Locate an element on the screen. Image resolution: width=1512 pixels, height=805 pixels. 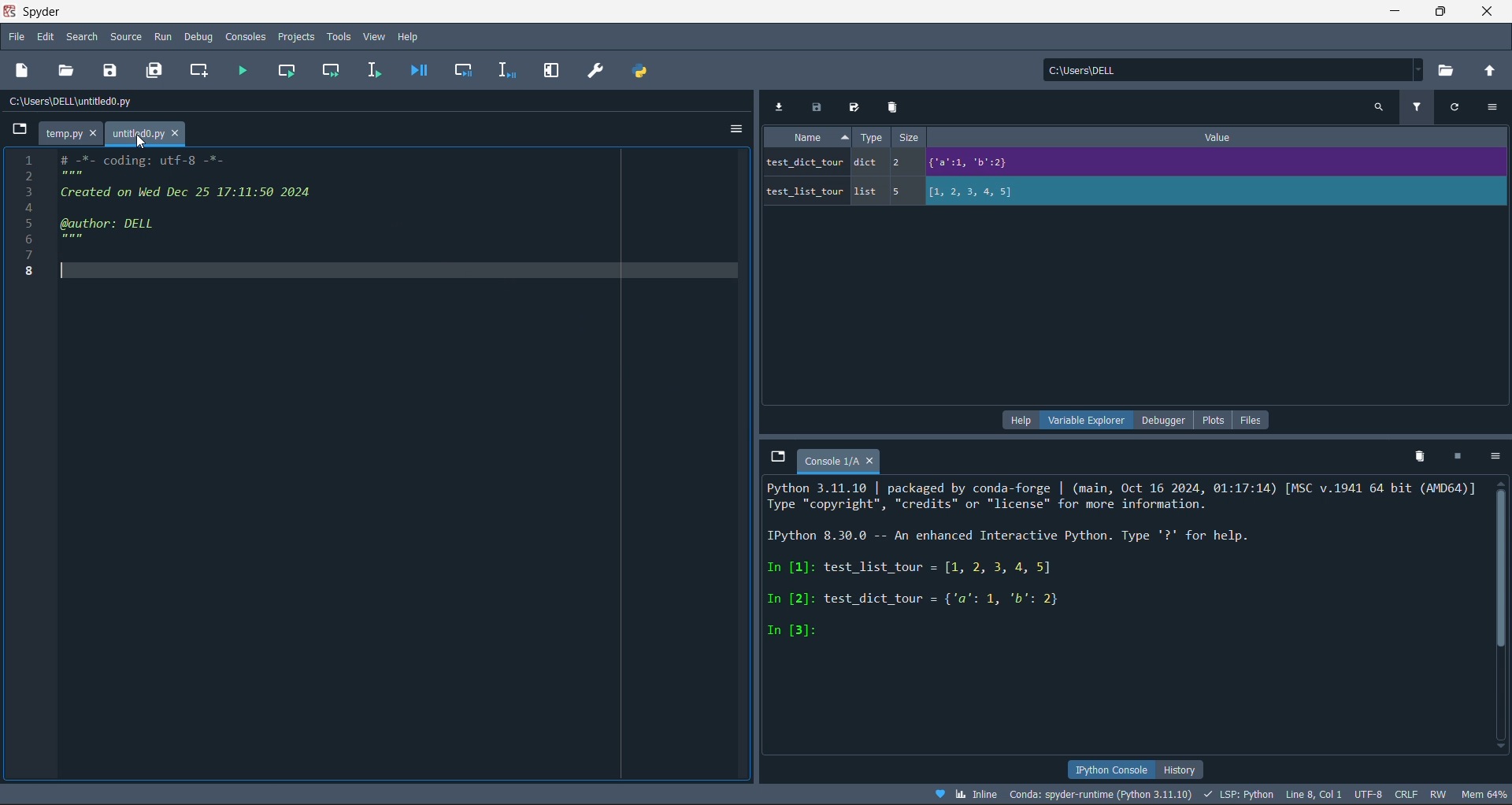
C:\Users\DELL is located at coordinates (1090, 72).